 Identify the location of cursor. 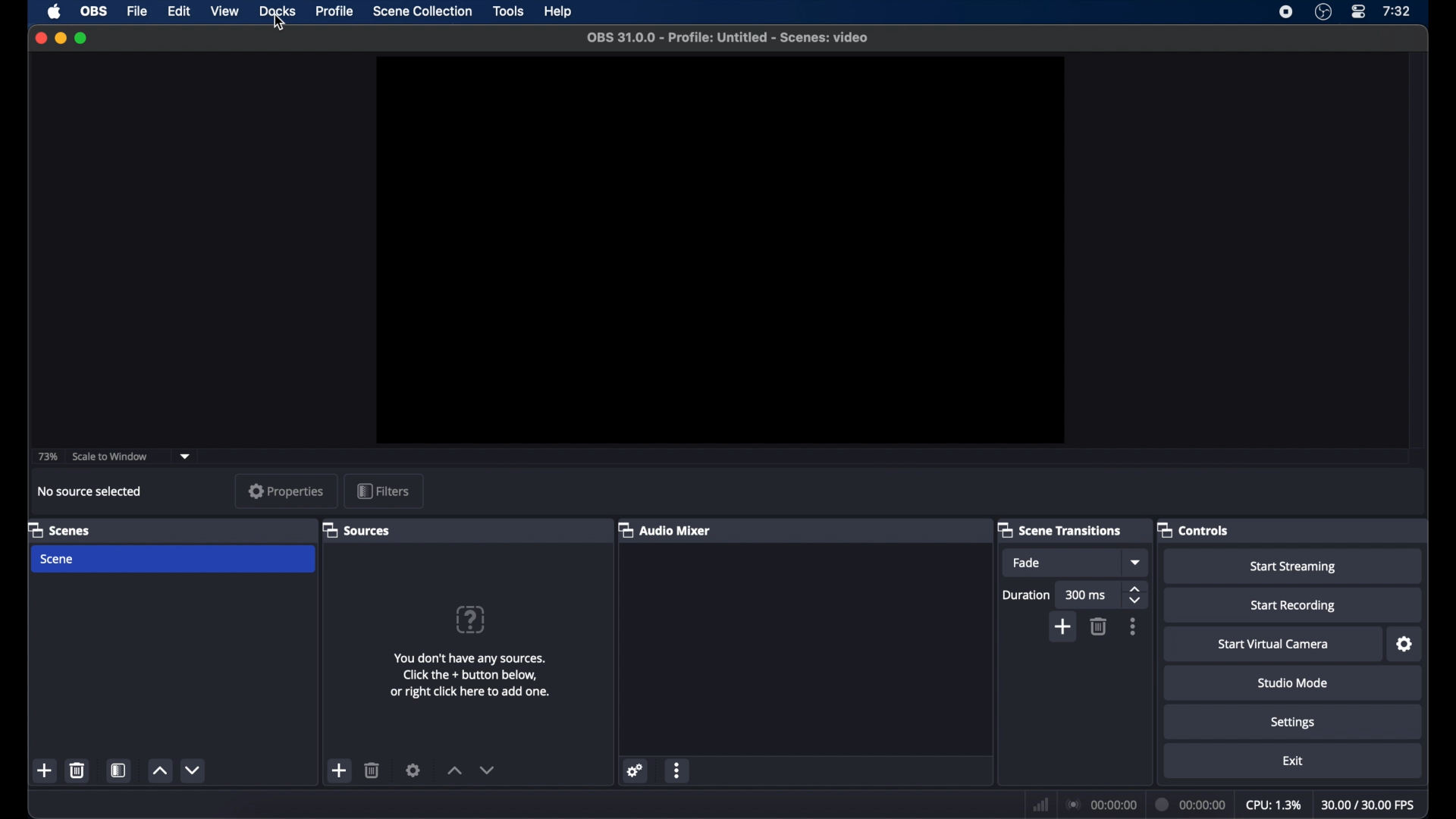
(278, 24).